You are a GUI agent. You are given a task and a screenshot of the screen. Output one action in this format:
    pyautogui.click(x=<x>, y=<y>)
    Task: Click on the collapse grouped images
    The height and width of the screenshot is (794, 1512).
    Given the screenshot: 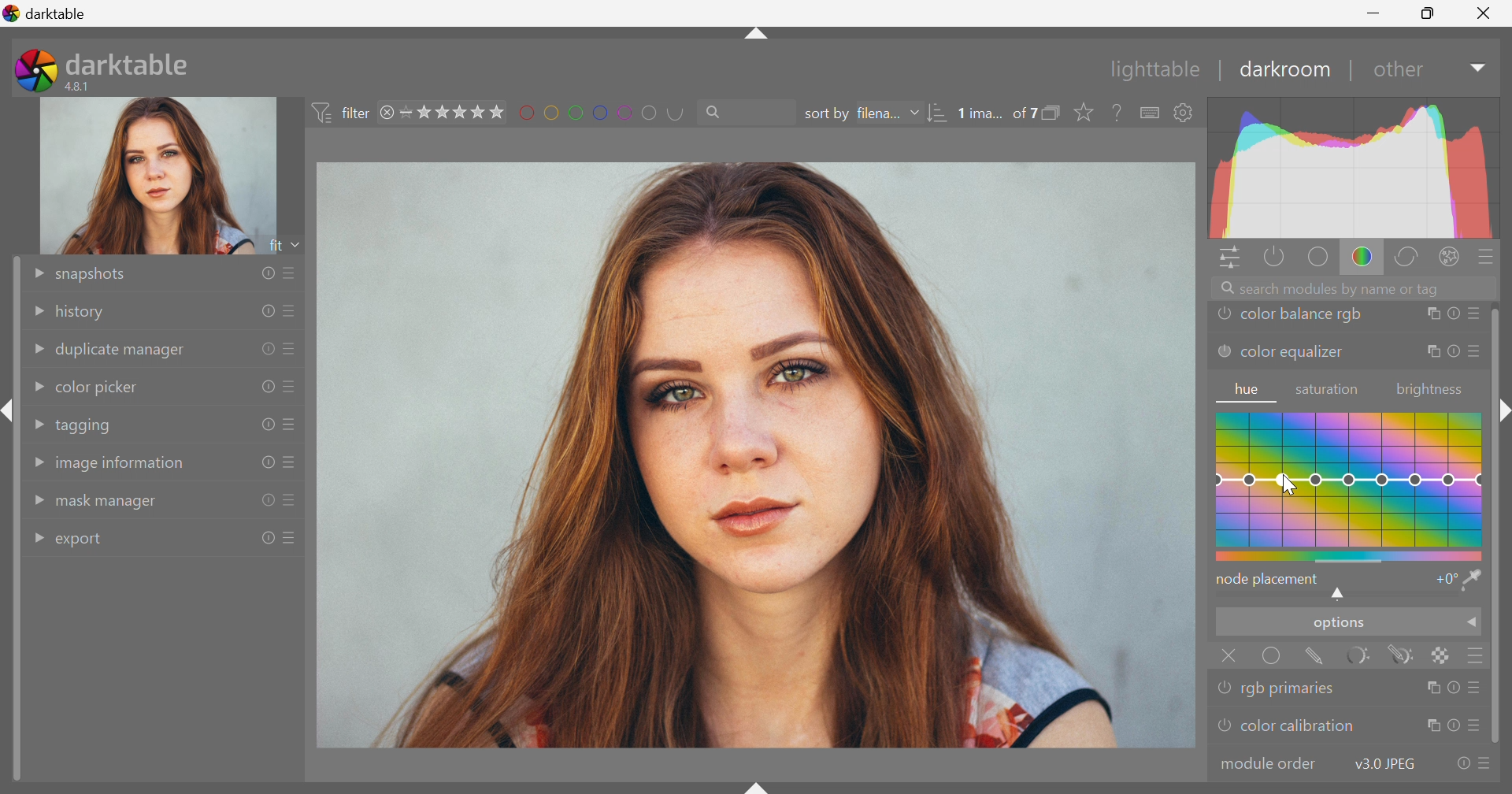 What is the action you would take?
    pyautogui.click(x=1056, y=112)
    